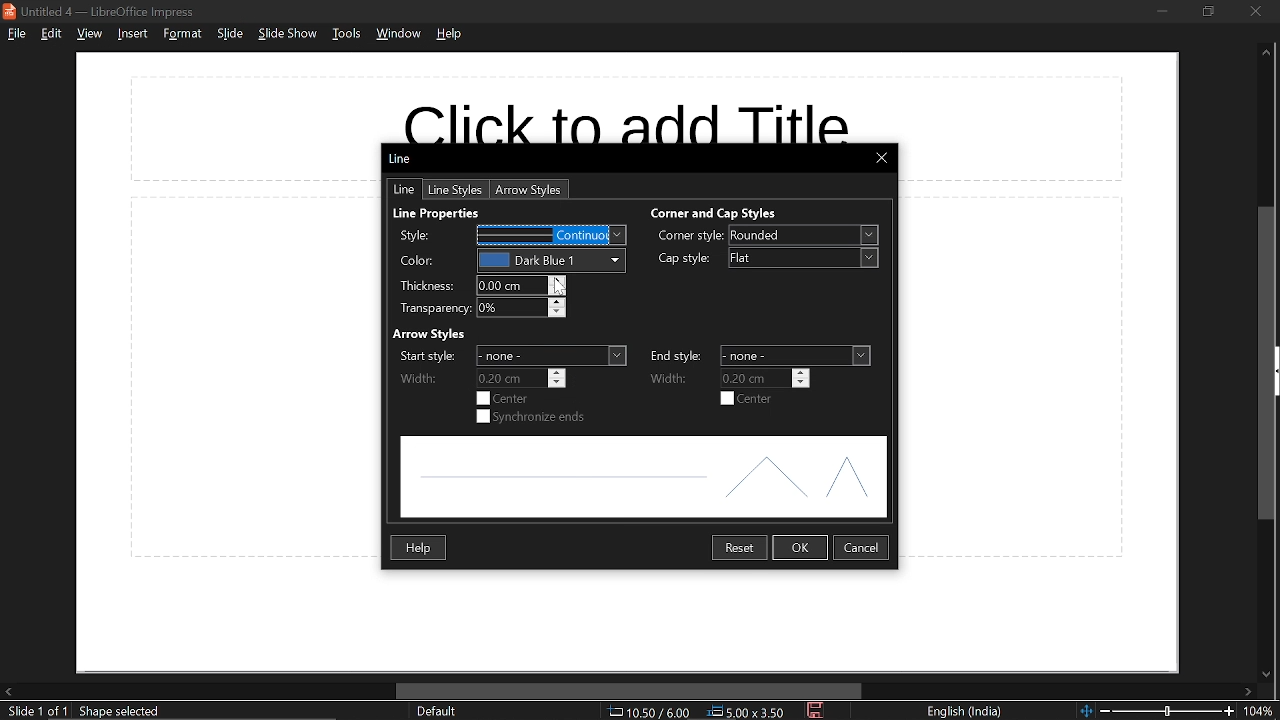 Image resolution: width=1280 pixels, height=720 pixels. What do you see at coordinates (1255, 10) in the screenshot?
I see `close` at bounding box center [1255, 10].